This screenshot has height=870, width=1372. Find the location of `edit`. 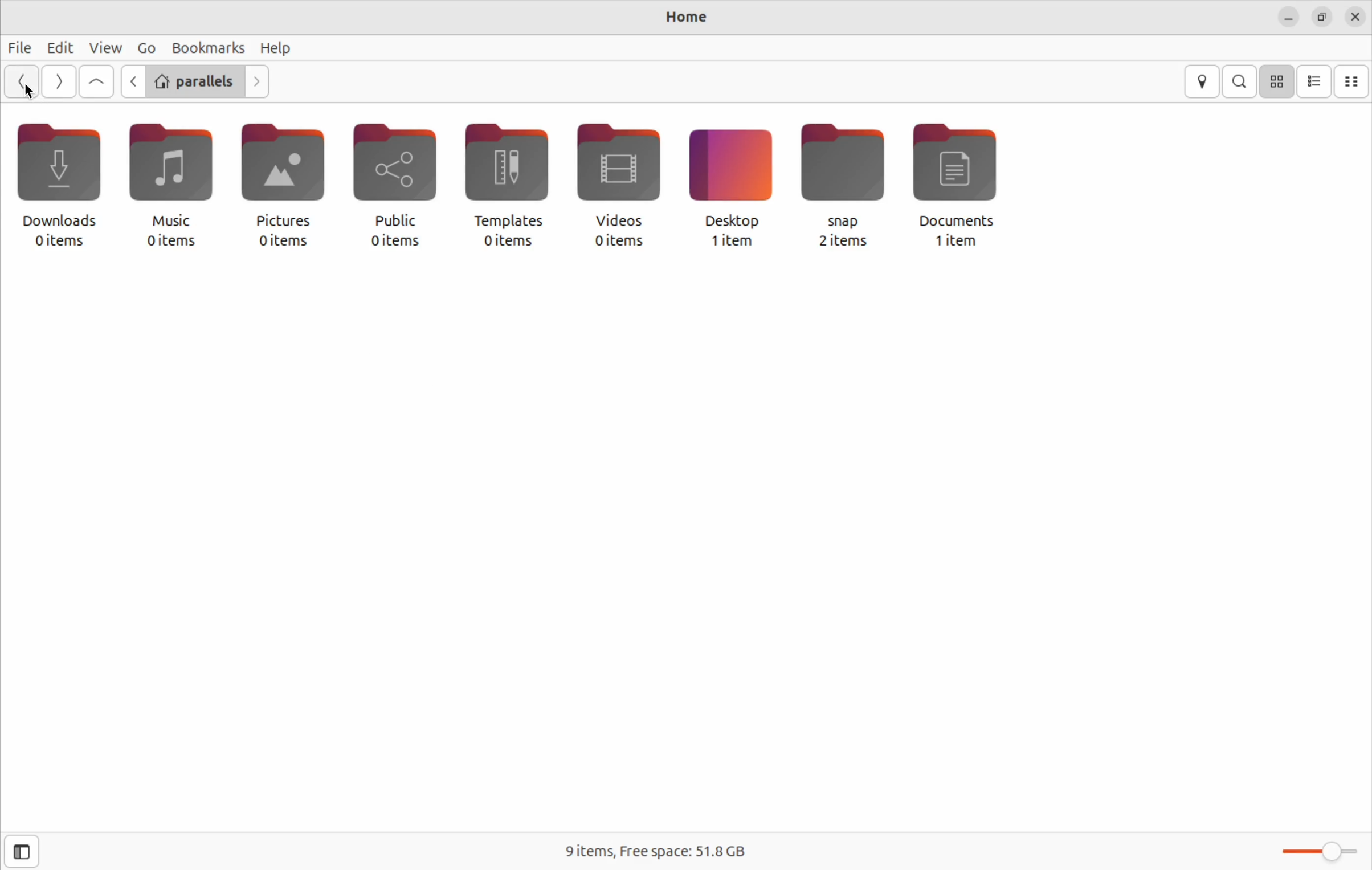

edit is located at coordinates (60, 48).